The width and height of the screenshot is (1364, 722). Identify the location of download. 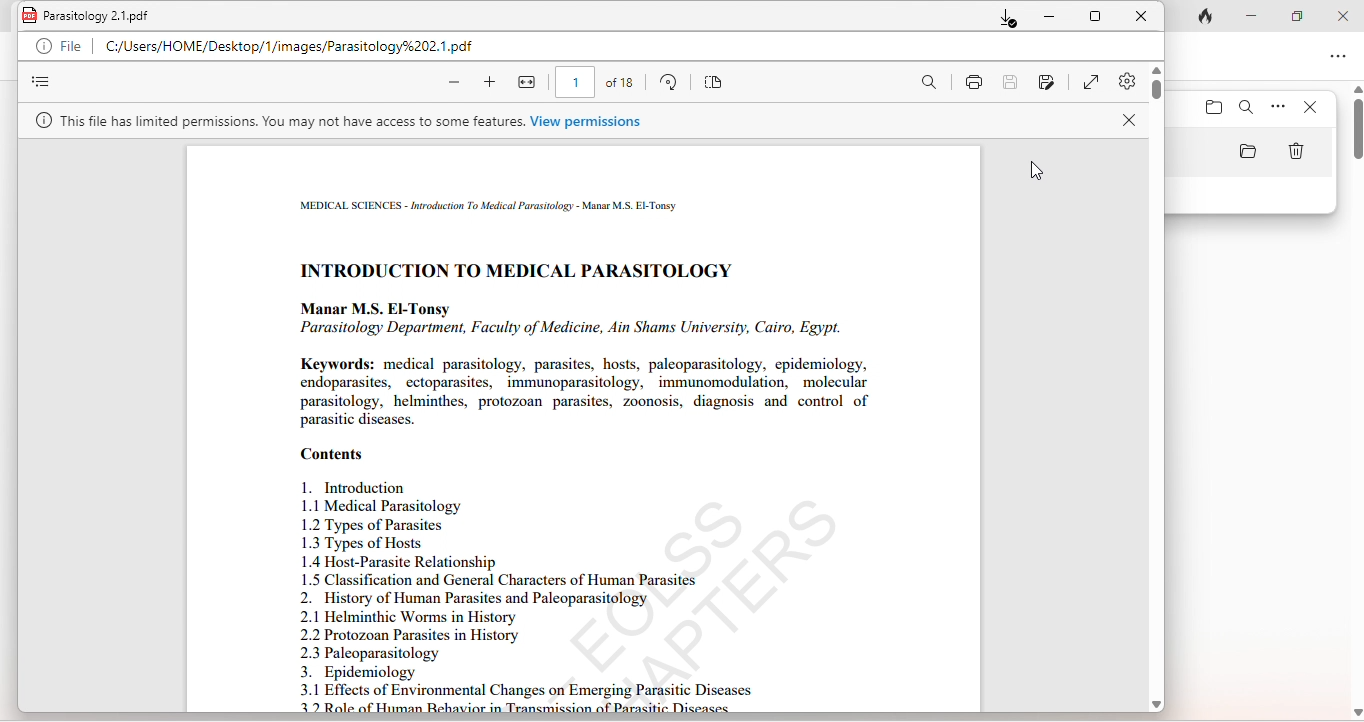
(1003, 15).